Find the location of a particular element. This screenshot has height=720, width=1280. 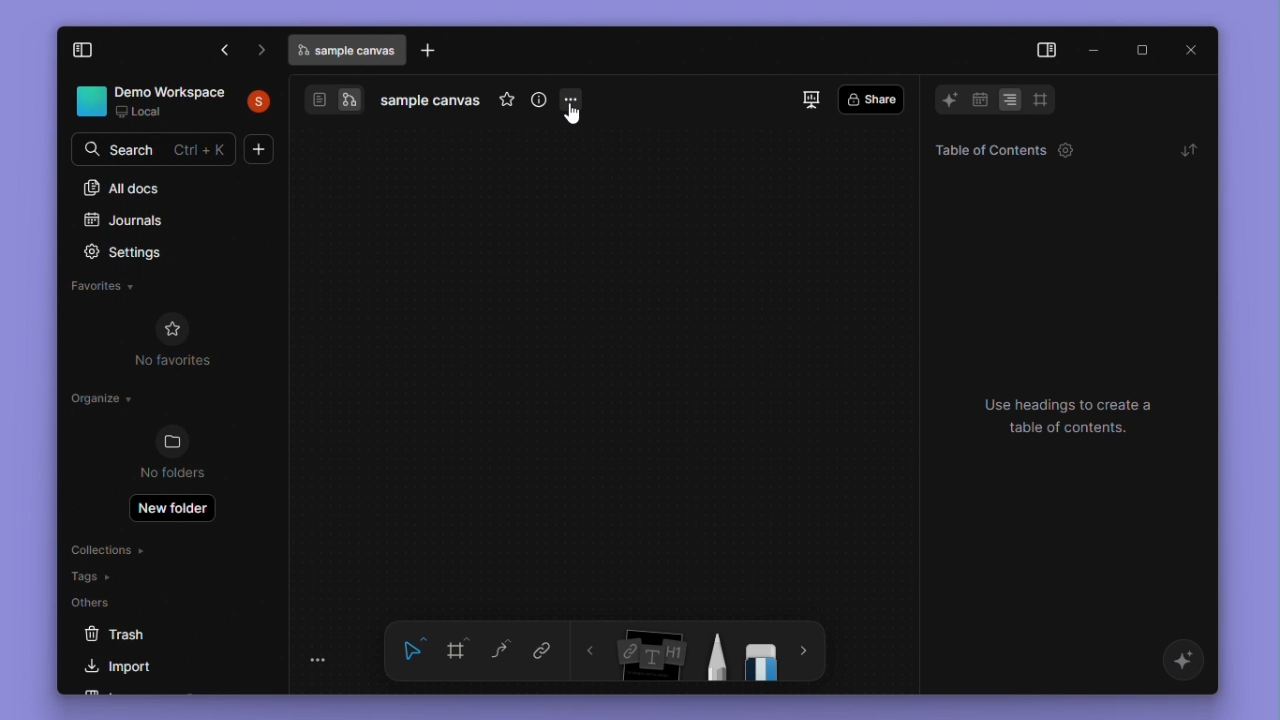

Journal is located at coordinates (126, 222).